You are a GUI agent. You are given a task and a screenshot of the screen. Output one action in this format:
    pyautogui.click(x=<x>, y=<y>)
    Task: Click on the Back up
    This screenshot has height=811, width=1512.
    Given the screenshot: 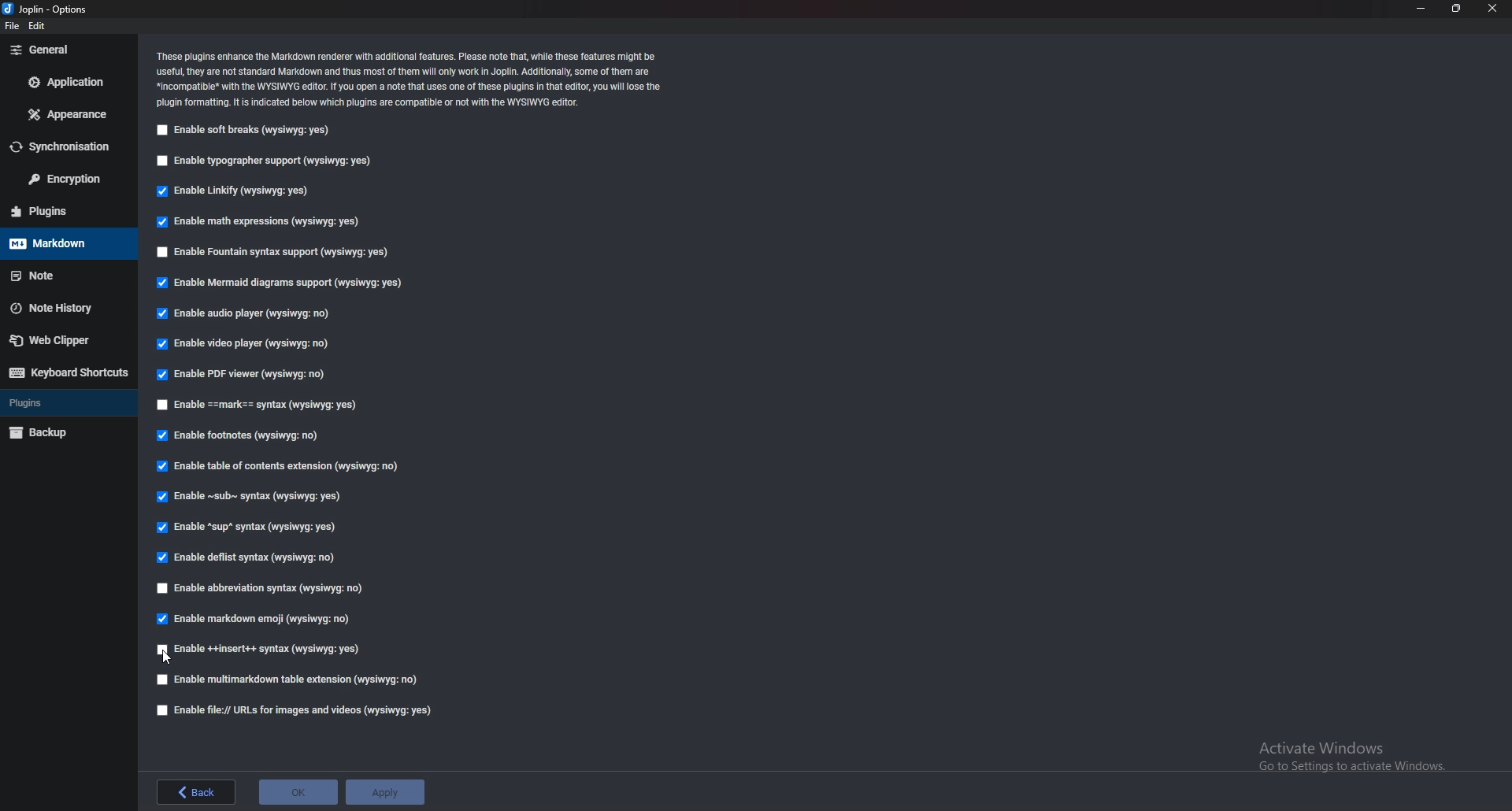 What is the action you would take?
    pyautogui.click(x=61, y=432)
    